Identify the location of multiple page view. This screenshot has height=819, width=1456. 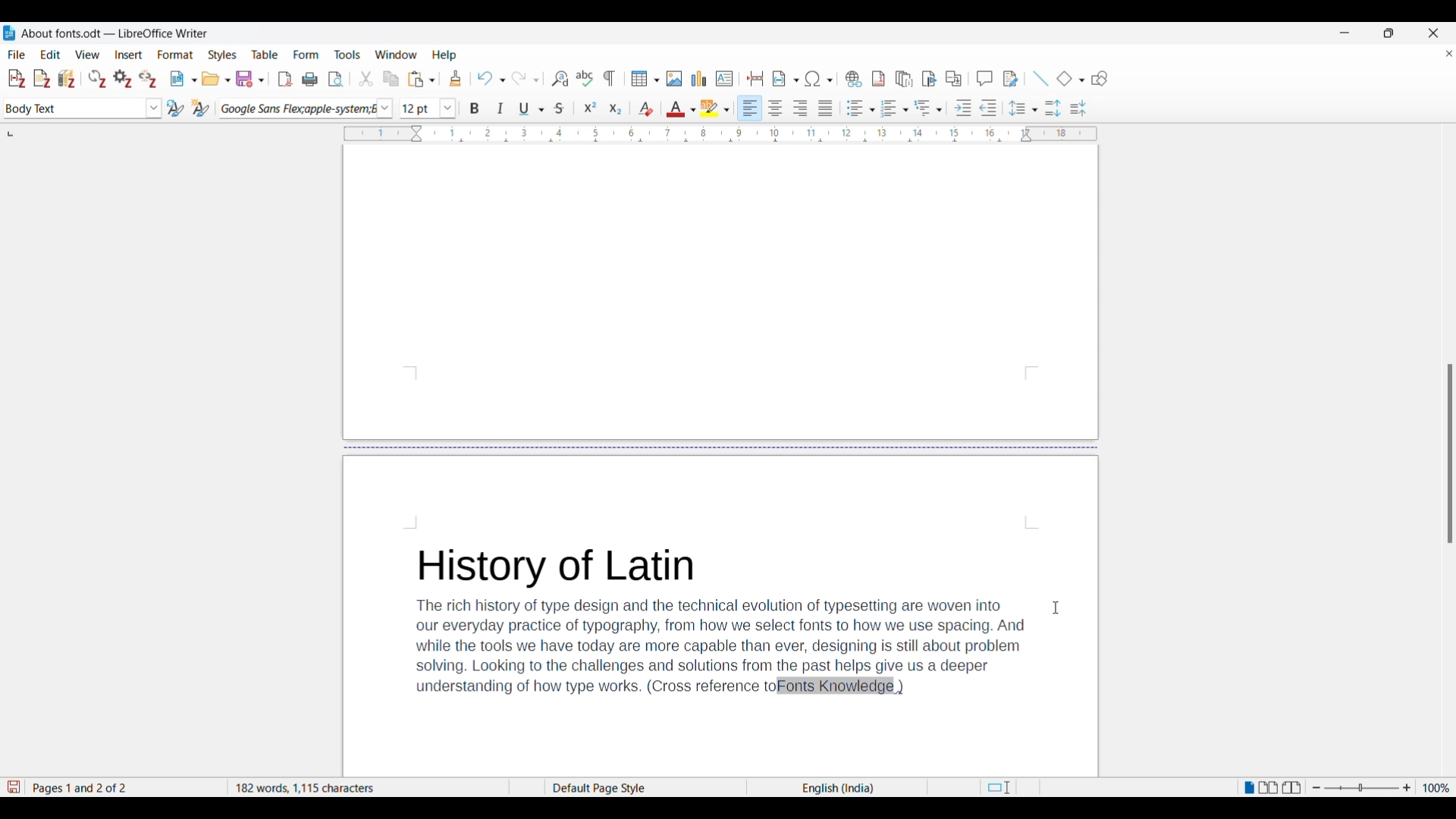
(1269, 790).